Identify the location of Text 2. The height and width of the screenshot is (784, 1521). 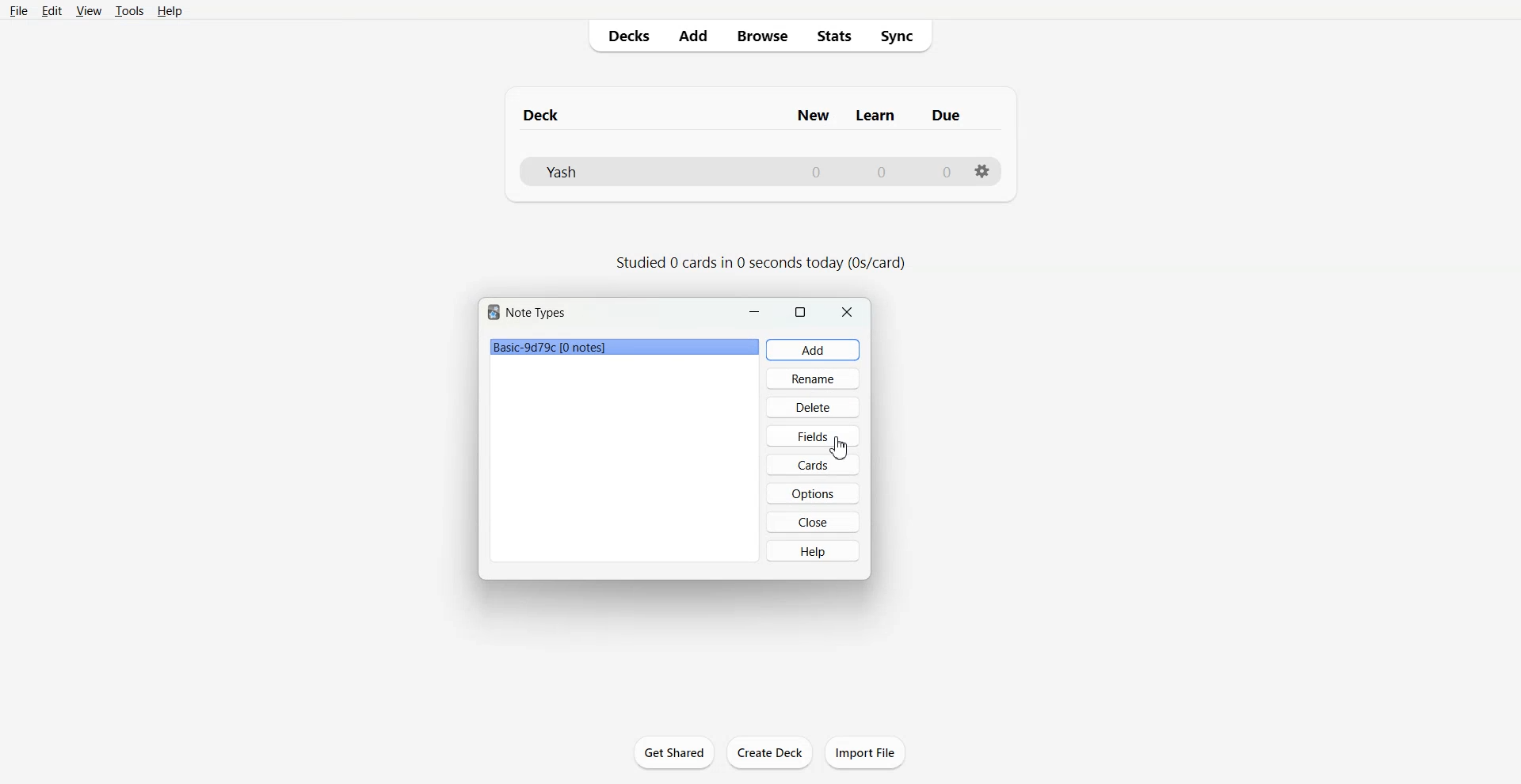
(760, 263).